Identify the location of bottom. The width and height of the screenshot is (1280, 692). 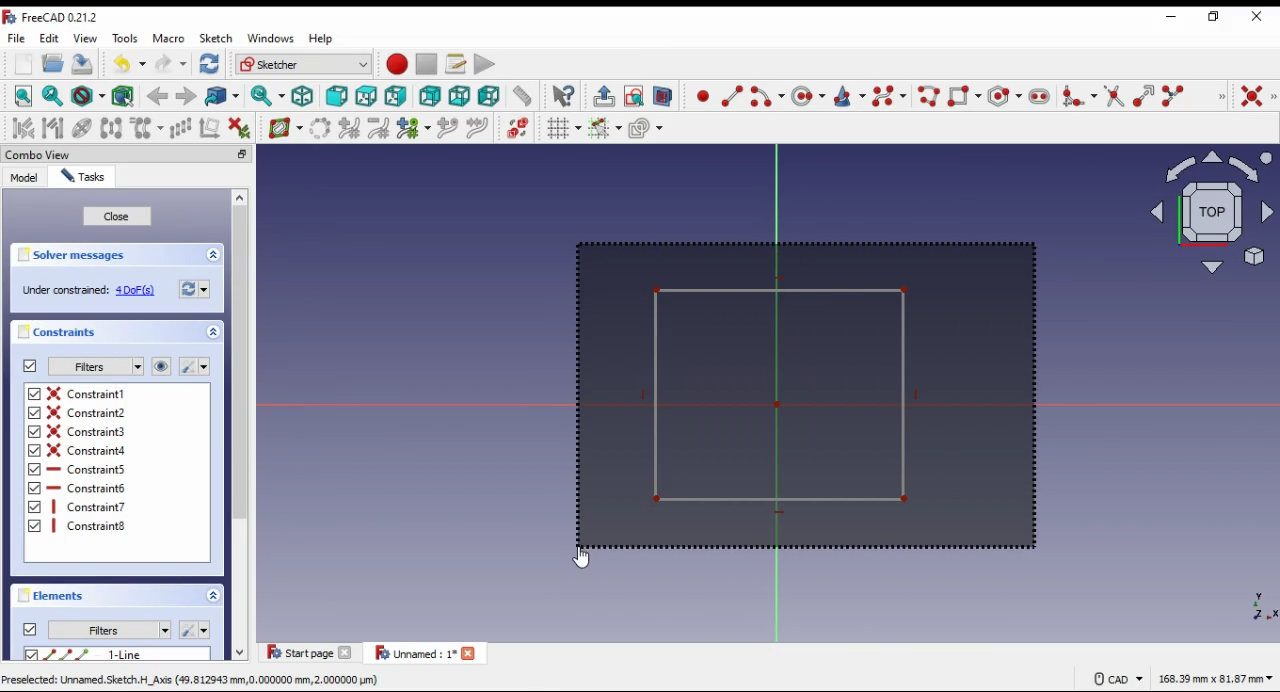
(459, 96).